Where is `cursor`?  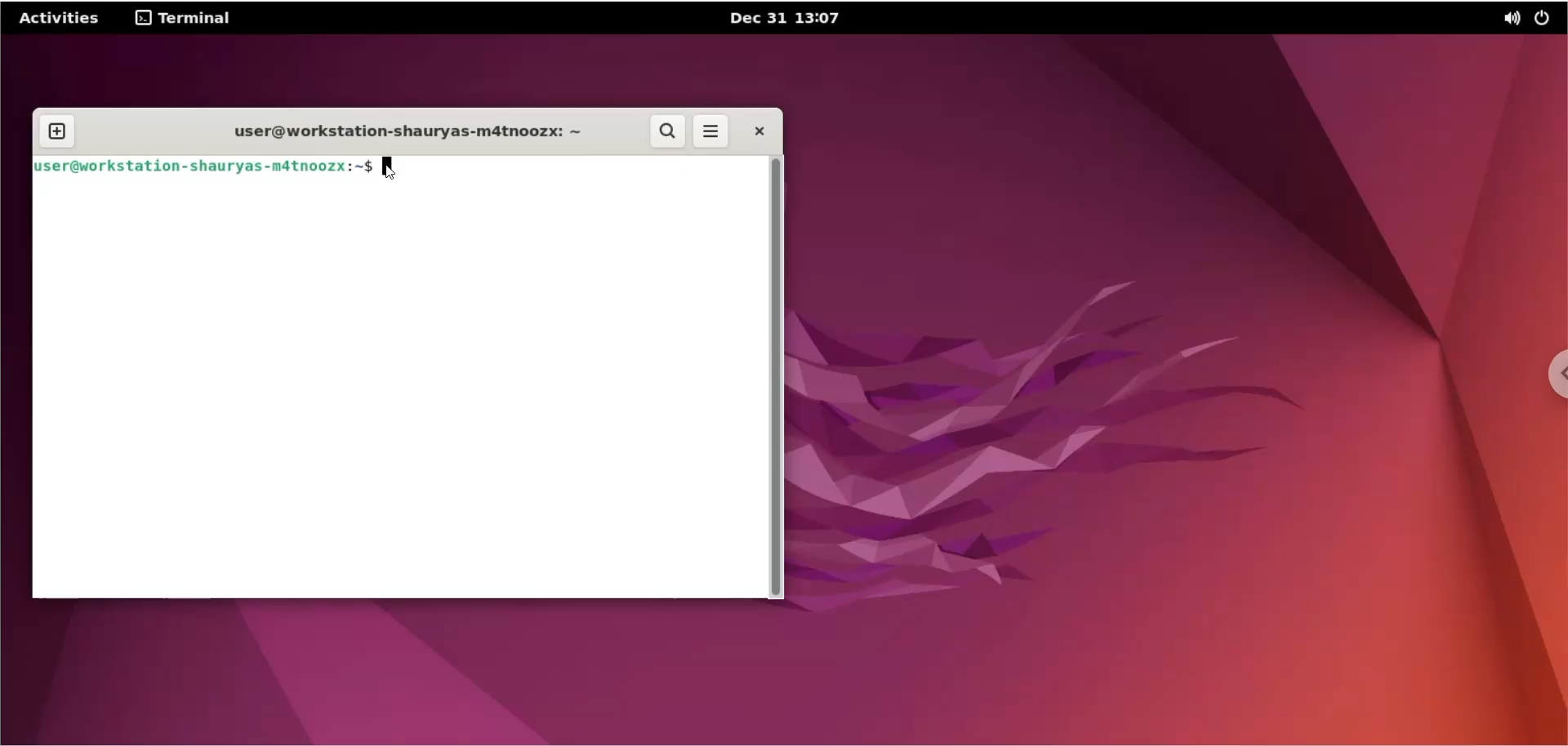 cursor is located at coordinates (390, 168).